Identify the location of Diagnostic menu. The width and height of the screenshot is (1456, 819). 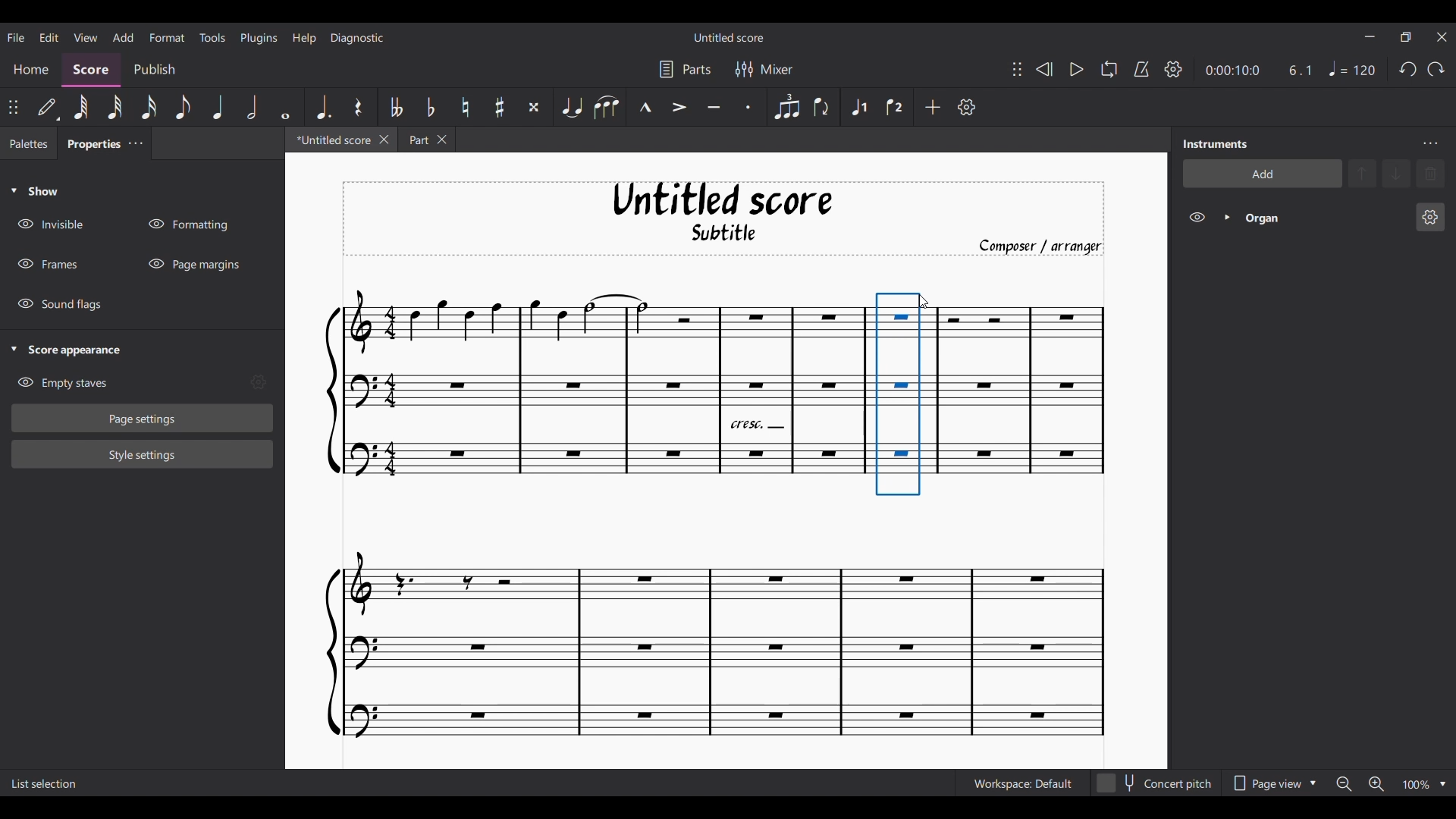
(358, 38).